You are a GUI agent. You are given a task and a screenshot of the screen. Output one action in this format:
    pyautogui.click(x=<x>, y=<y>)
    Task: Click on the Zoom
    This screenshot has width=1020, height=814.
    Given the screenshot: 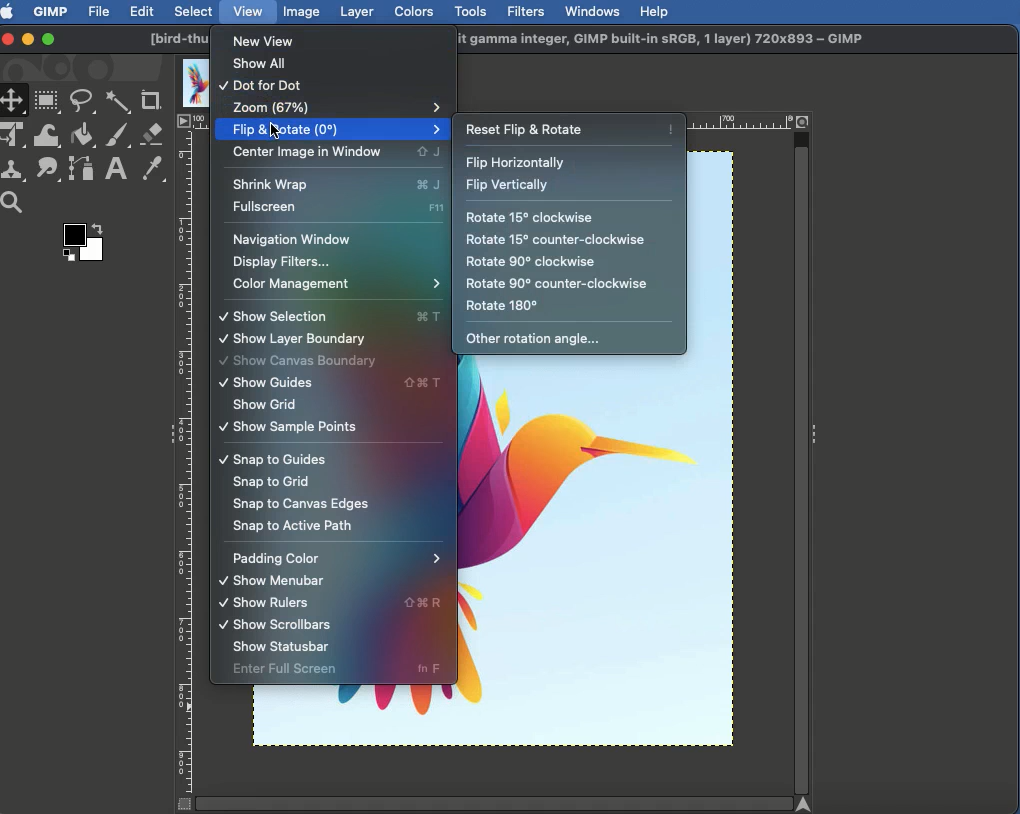 What is the action you would take?
    pyautogui.click(x=334, y=106)
    